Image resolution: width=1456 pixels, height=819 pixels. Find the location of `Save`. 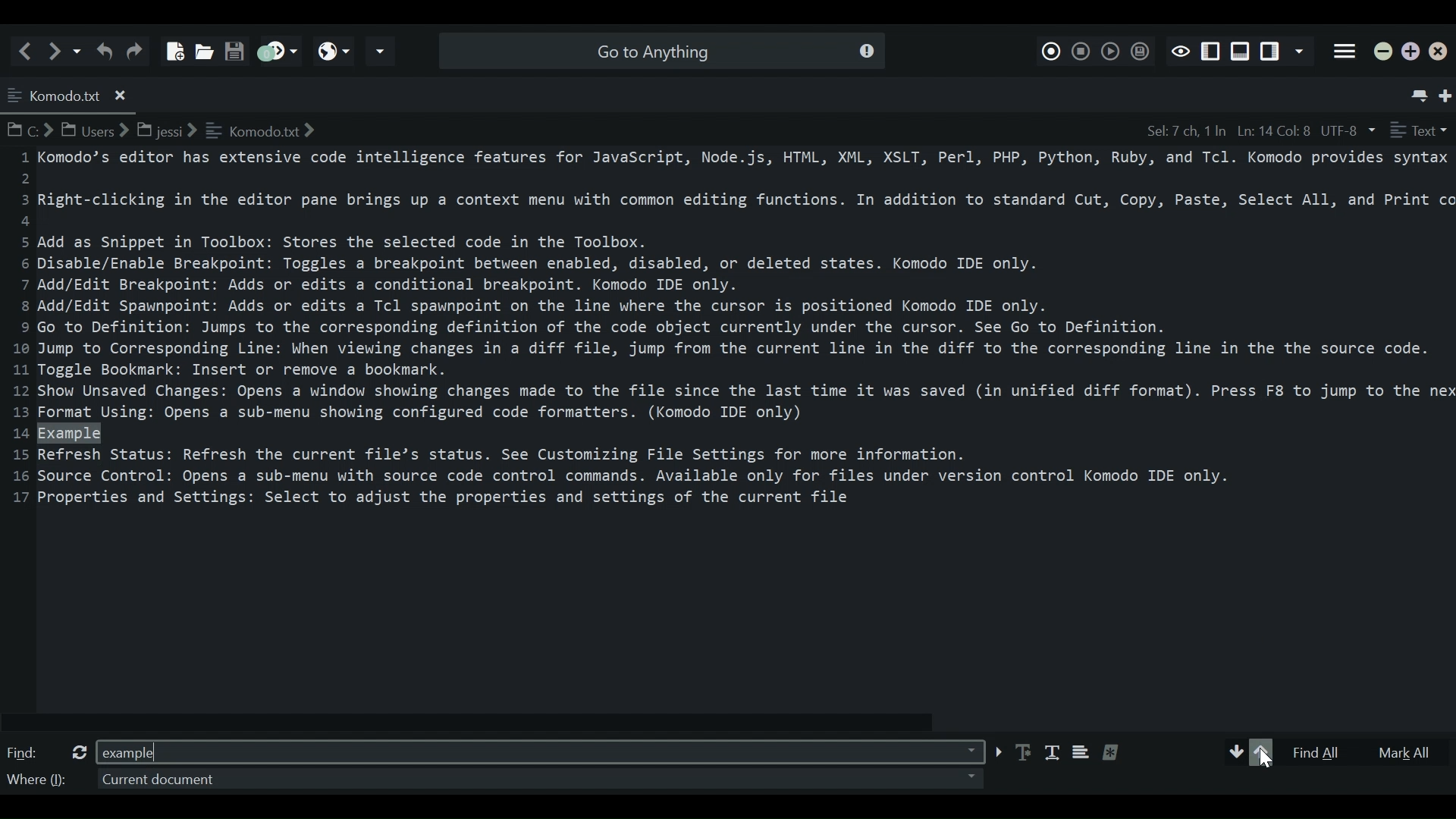

Save is located at coordinates (234, 46).